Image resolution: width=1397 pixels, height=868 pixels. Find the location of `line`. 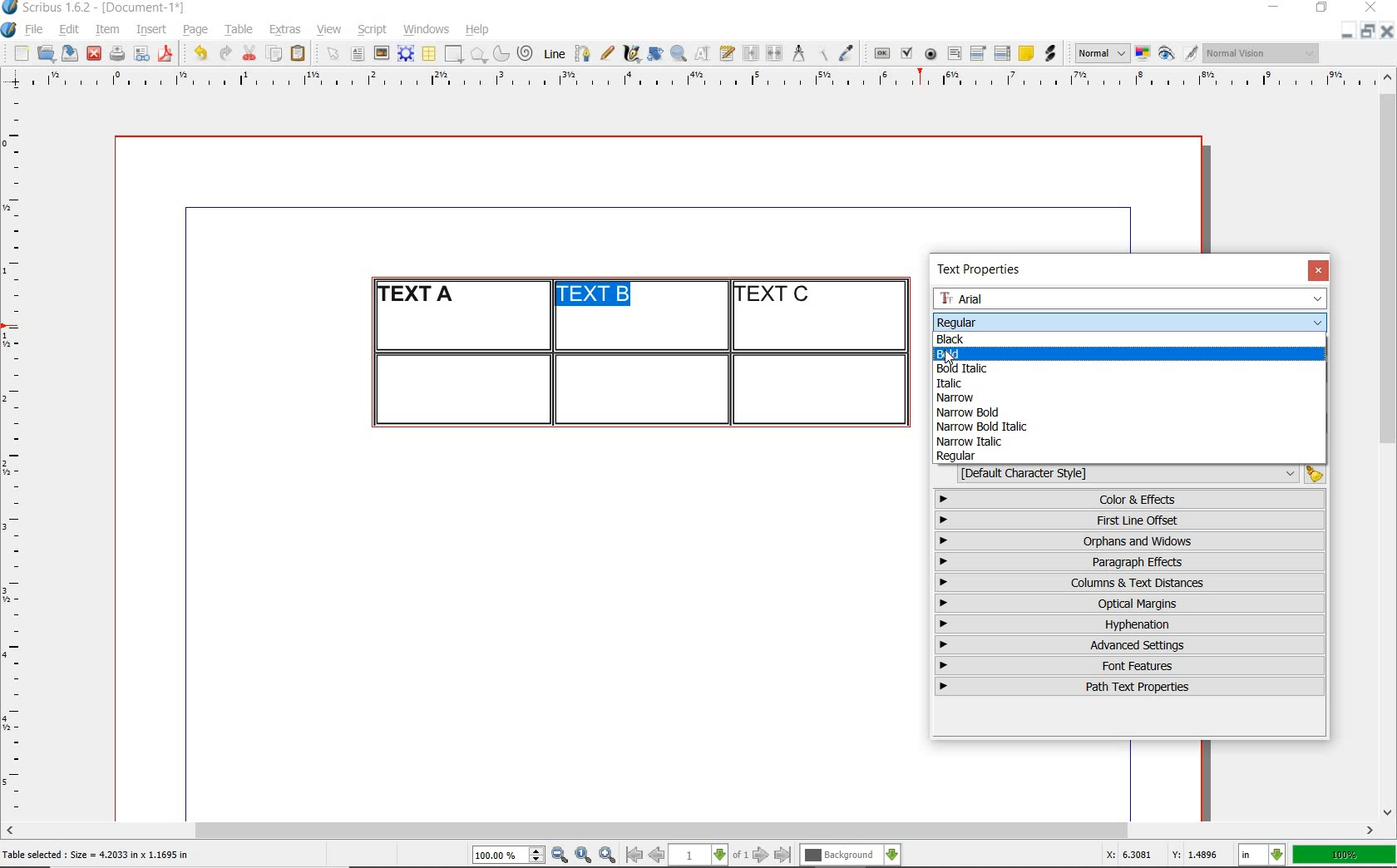

line is located at coordinates (552, 53).